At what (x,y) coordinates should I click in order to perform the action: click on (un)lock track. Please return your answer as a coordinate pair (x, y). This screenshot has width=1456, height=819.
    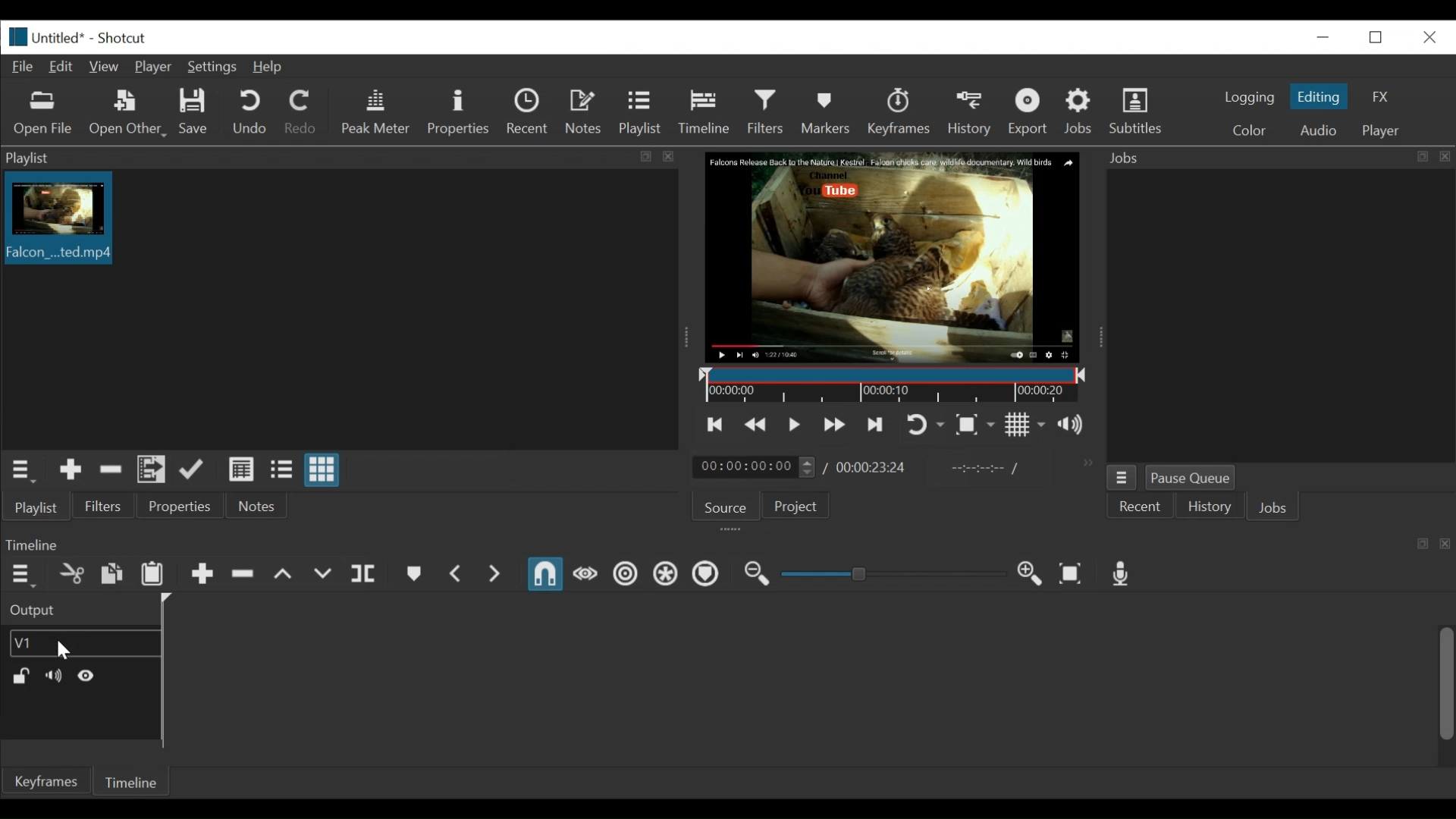
    Looking at the image, I should click on (20, 676).